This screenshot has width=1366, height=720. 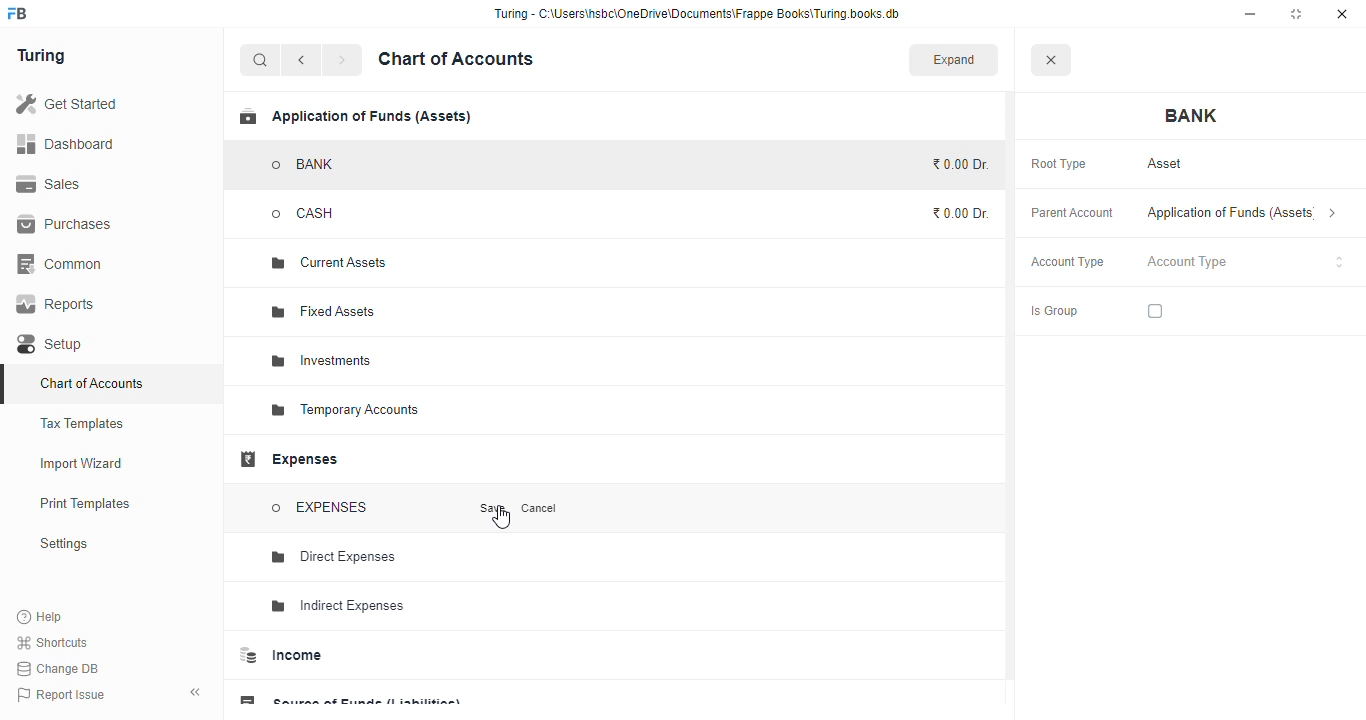 I want to click on print templates, so click(x=85, y=503).